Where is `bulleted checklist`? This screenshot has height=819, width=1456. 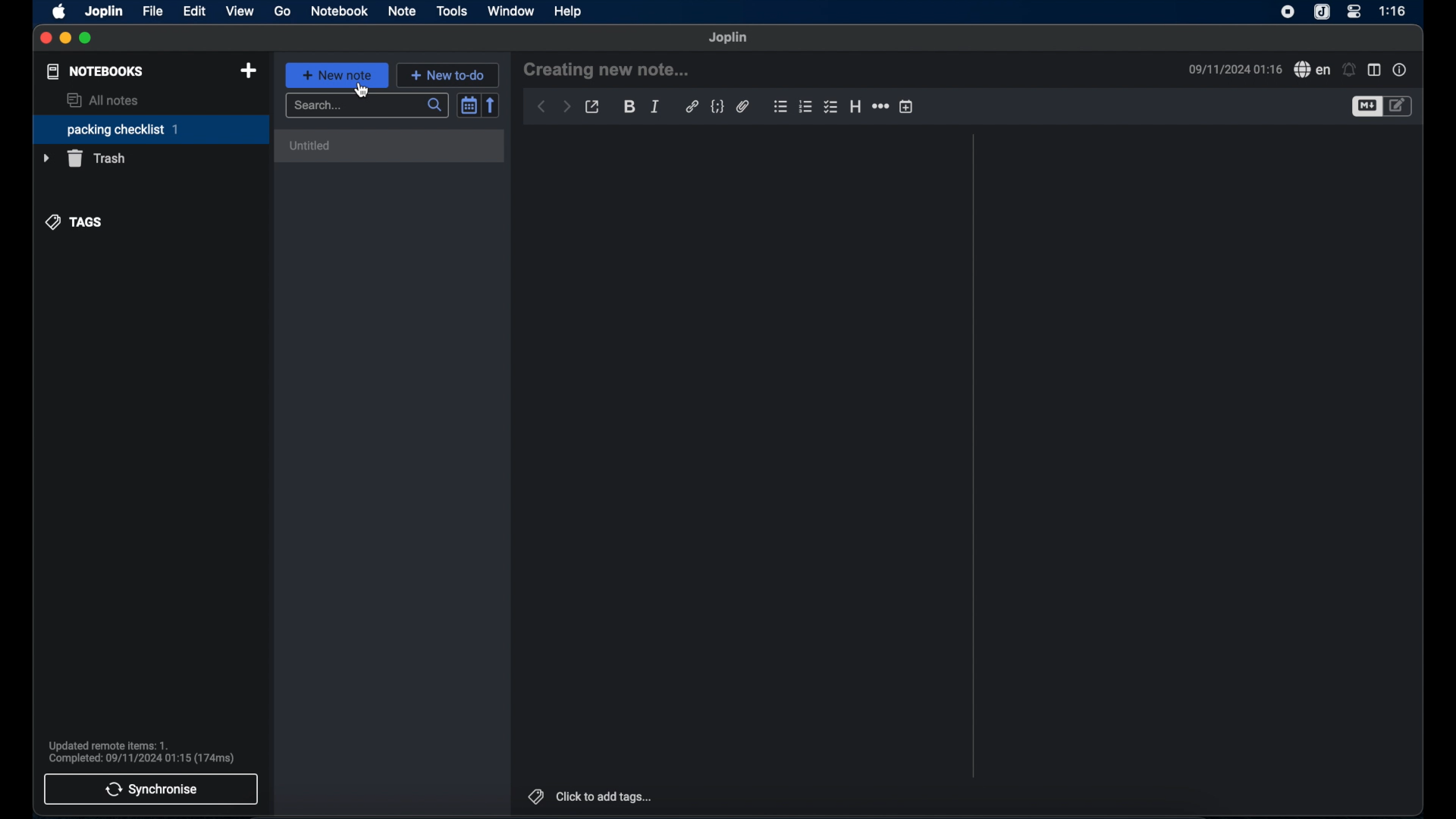
bulleted checklist is located at coordinates (830, 108).